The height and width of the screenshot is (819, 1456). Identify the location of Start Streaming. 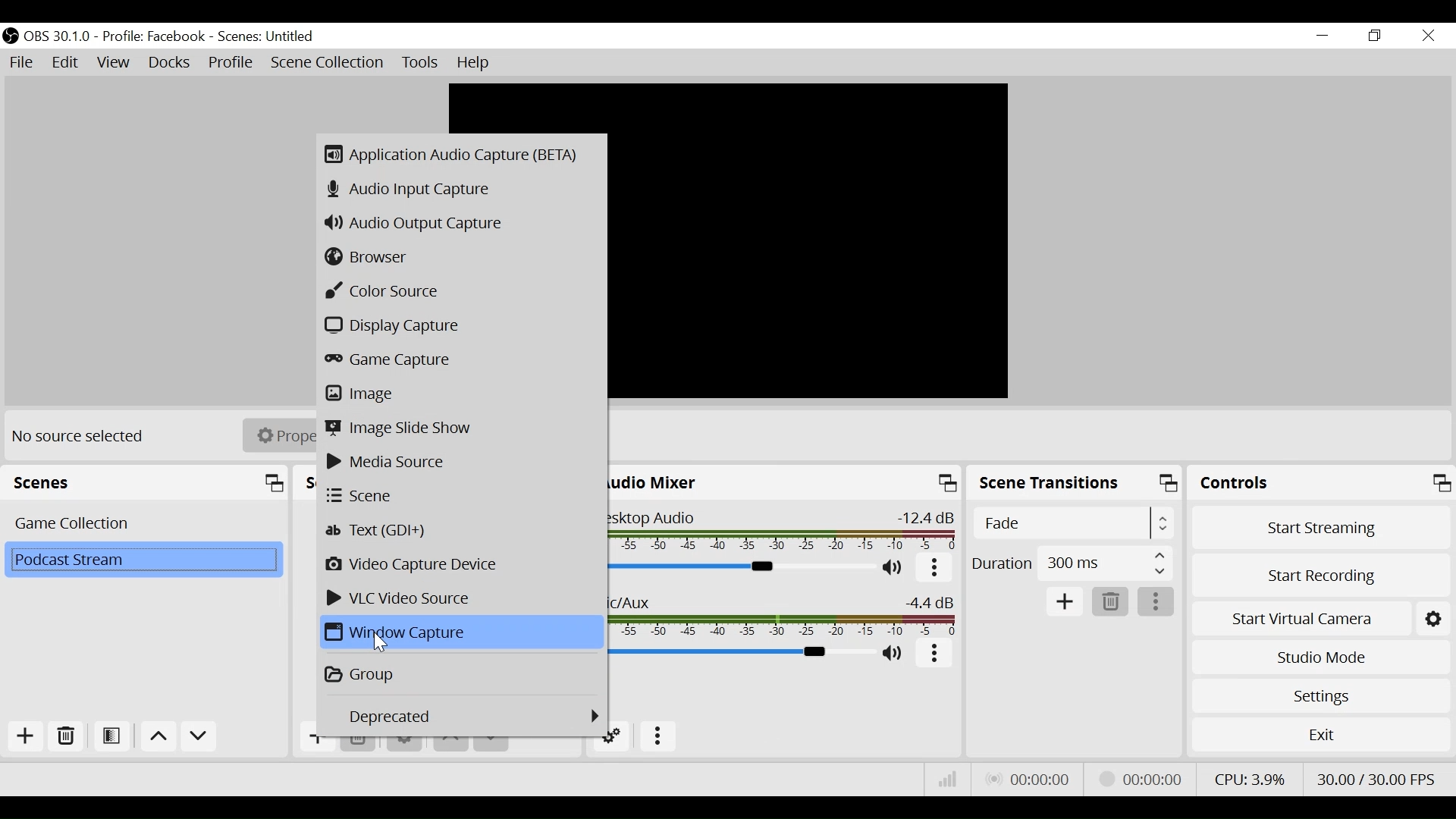
(1319, 526).